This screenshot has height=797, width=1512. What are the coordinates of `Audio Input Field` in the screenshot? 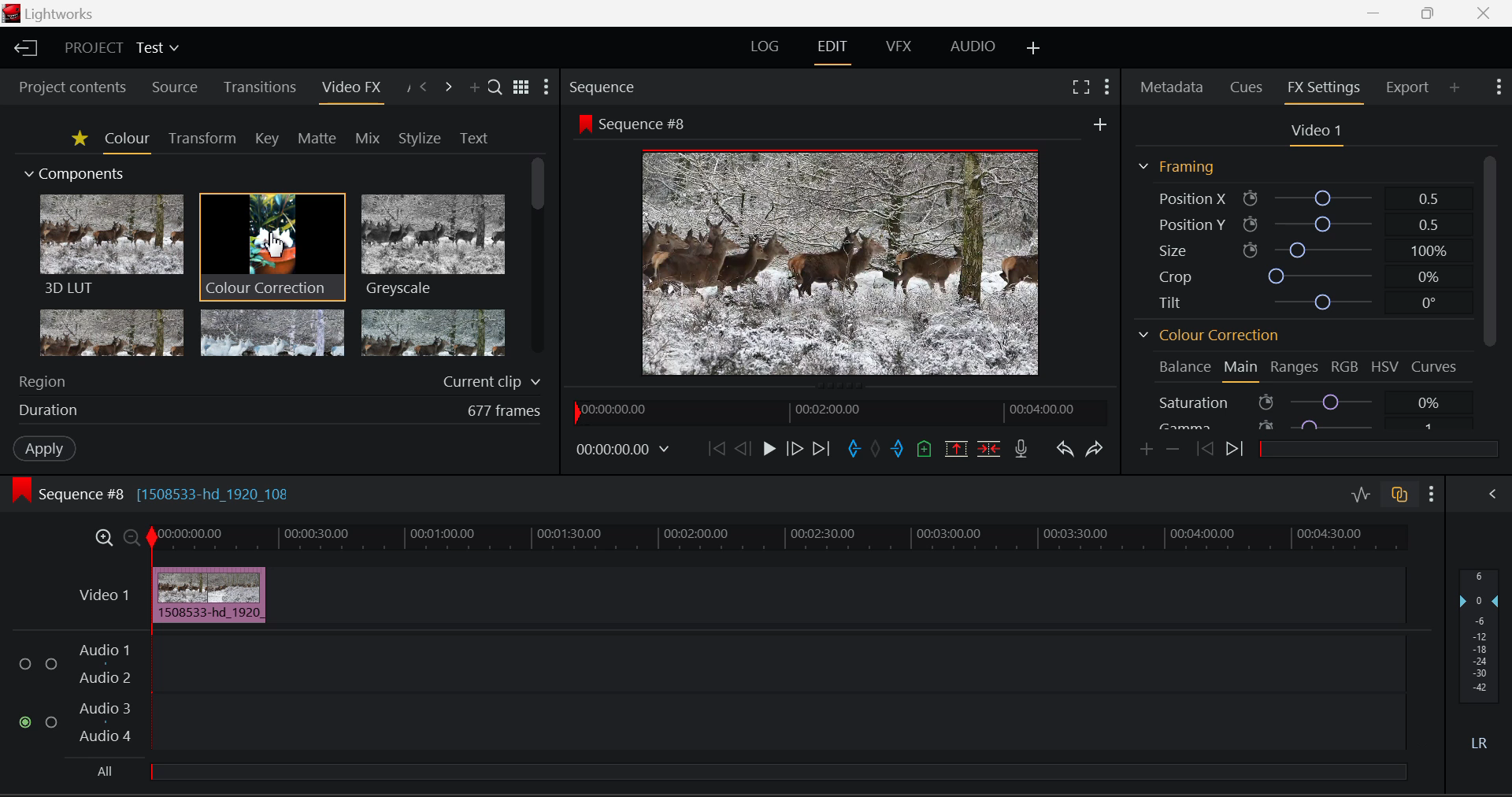 It's located at (776, 662).